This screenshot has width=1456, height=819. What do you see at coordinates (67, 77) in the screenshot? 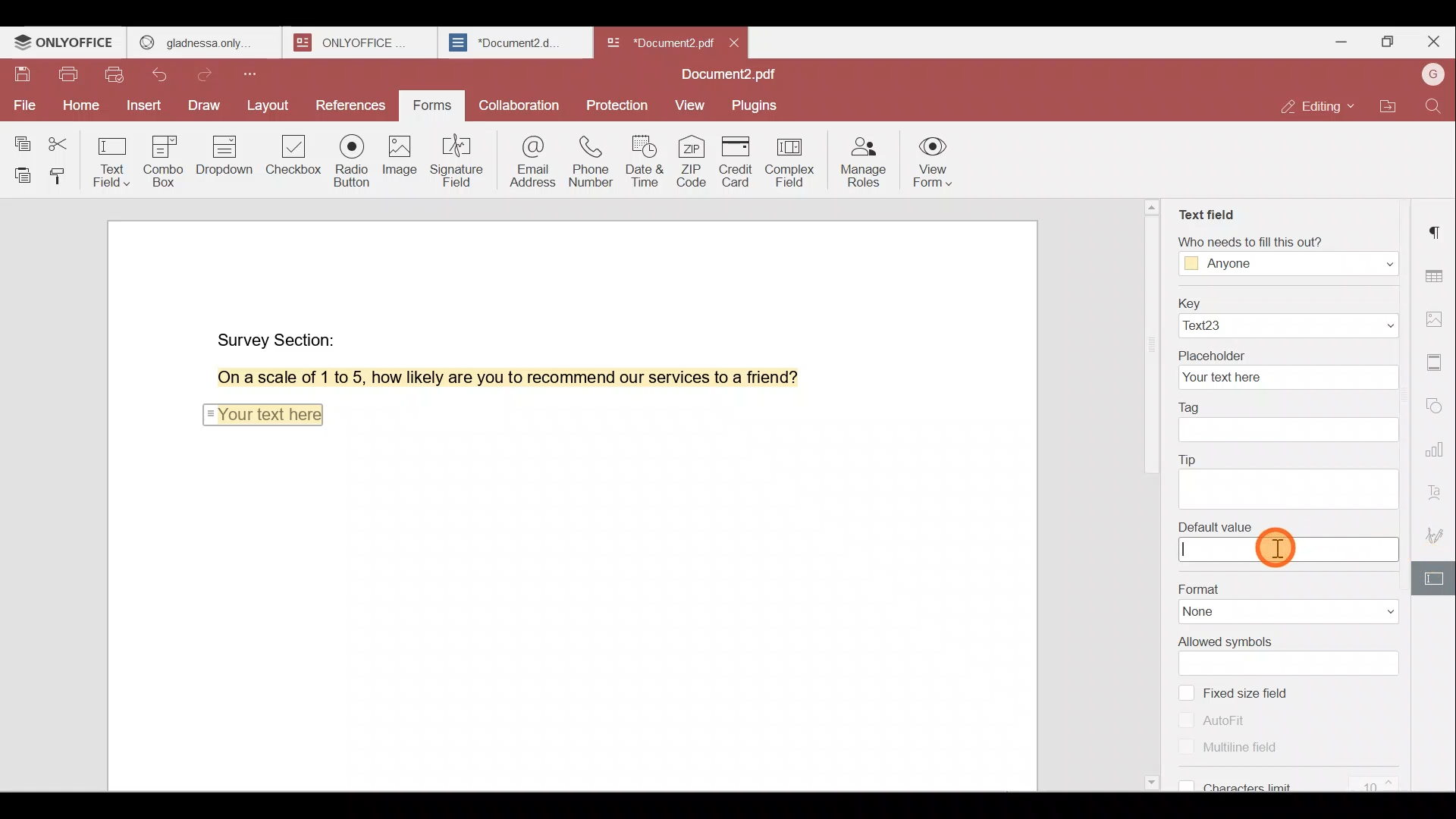
I see `Print file` at bounding box center [67, 77].